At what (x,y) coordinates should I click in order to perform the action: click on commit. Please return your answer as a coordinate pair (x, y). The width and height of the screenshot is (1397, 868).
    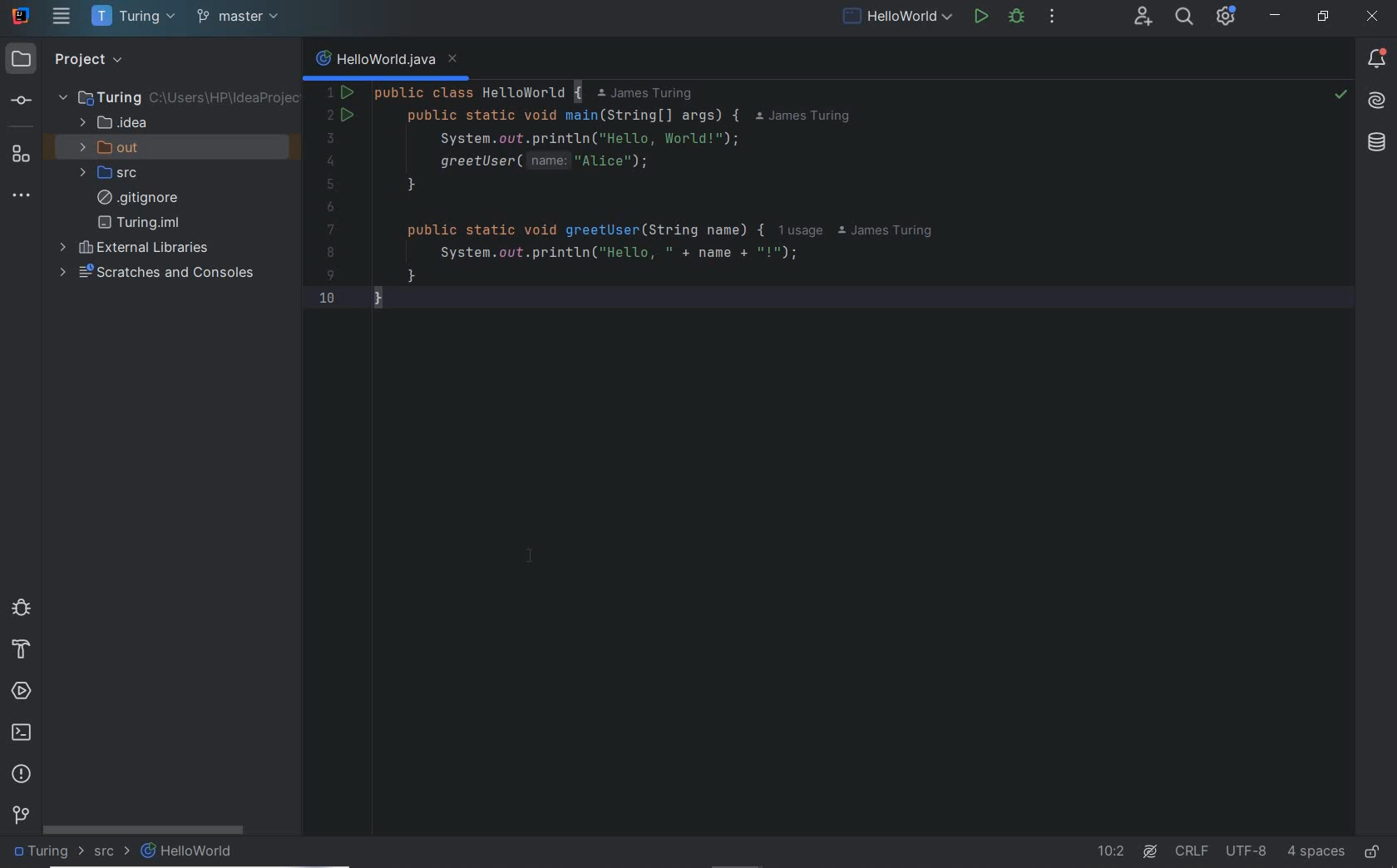
    Looking at the image, I should click on (20, 102).